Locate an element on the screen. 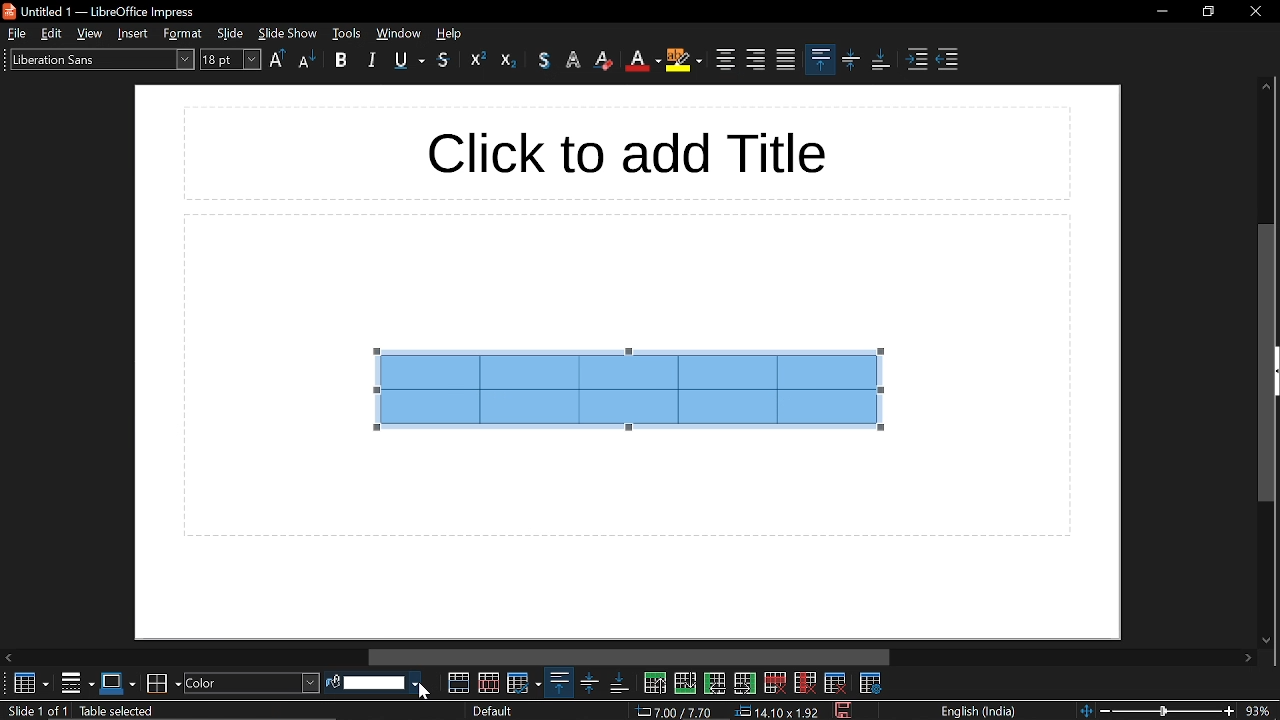 This screenshot has width=1280, height=720. table is located at coordinates (26, 684).